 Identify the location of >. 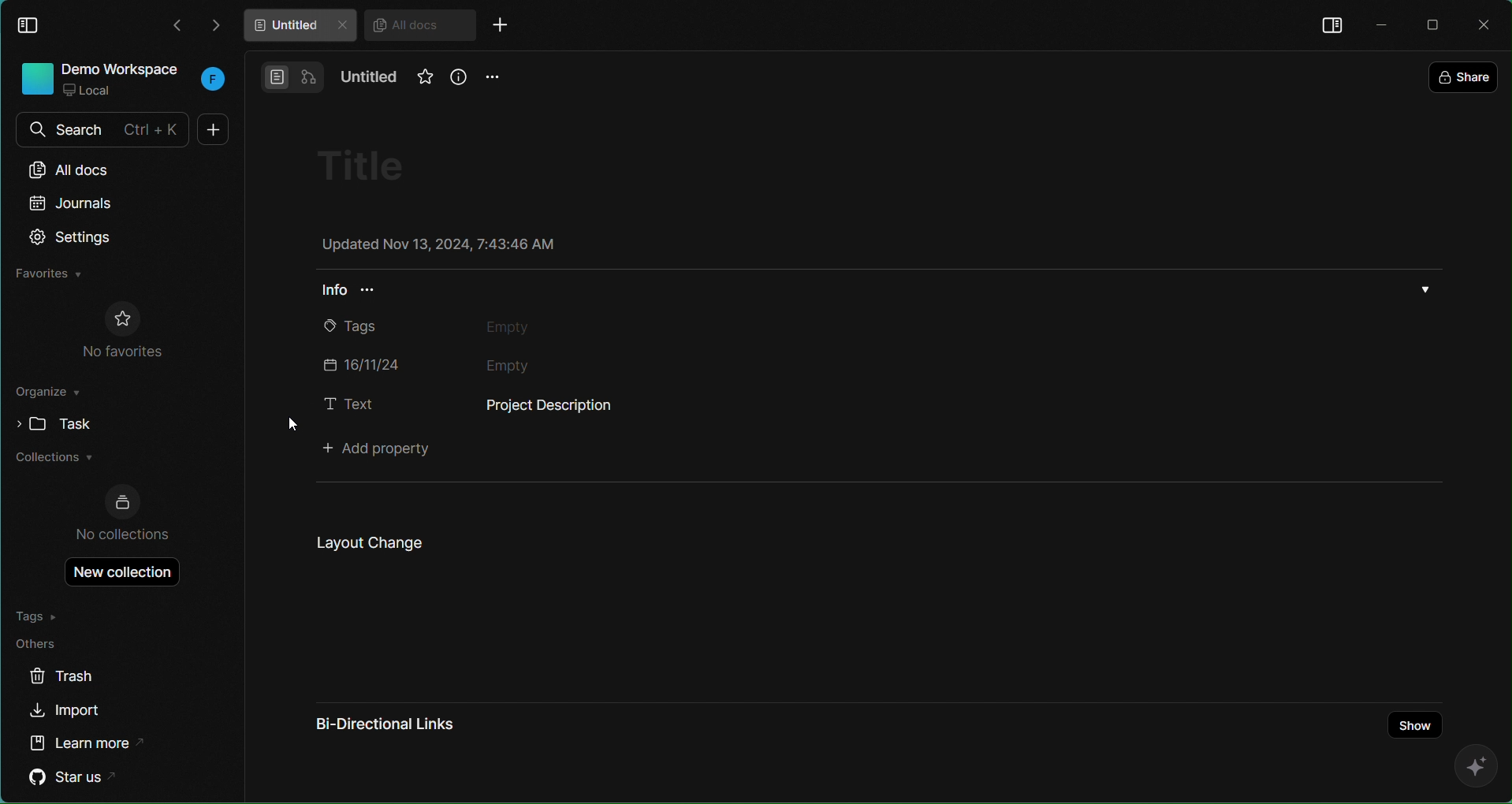
(218, 24).